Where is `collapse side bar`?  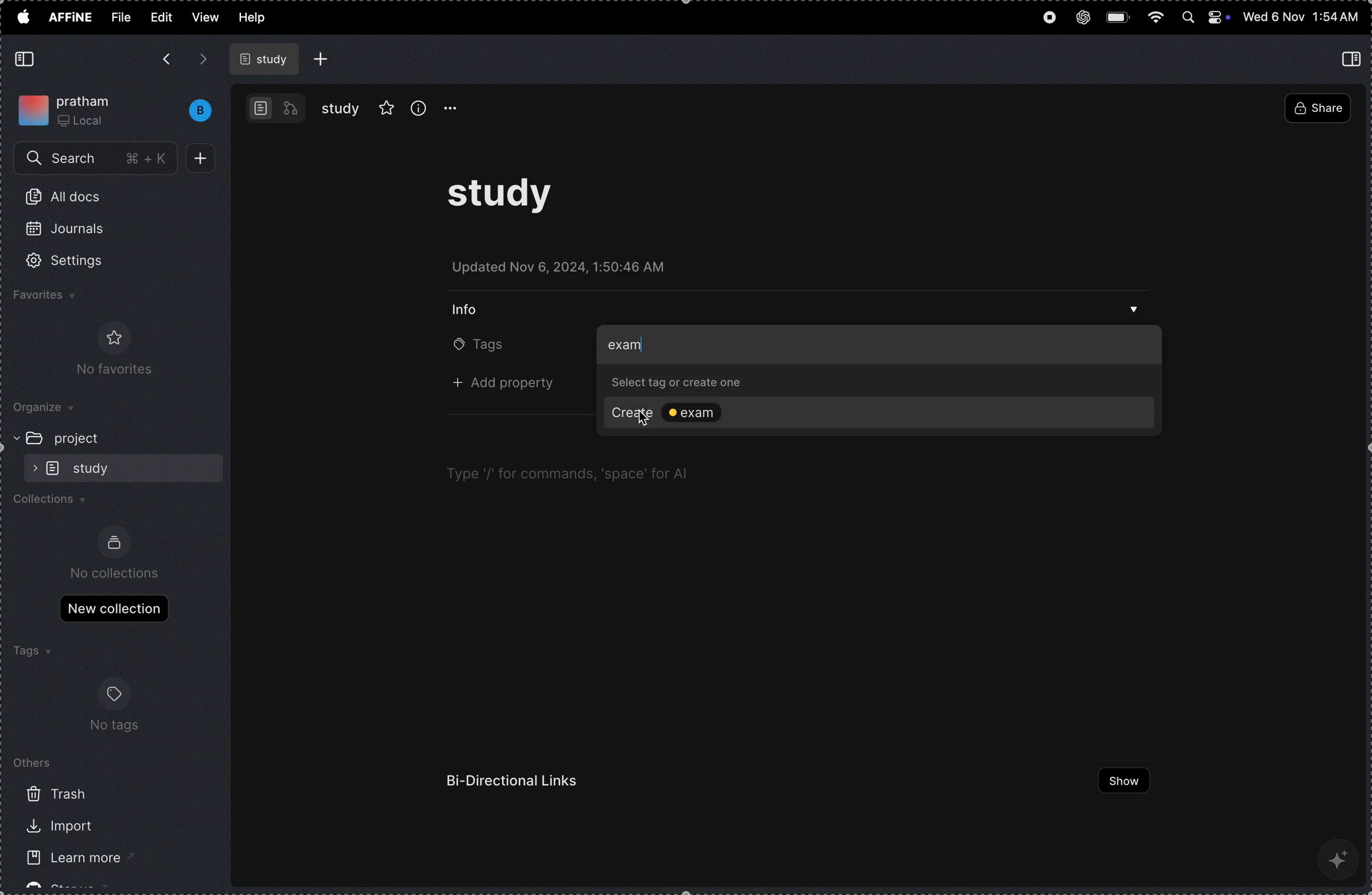
collapse side bar is located at coordinates (27, 59).